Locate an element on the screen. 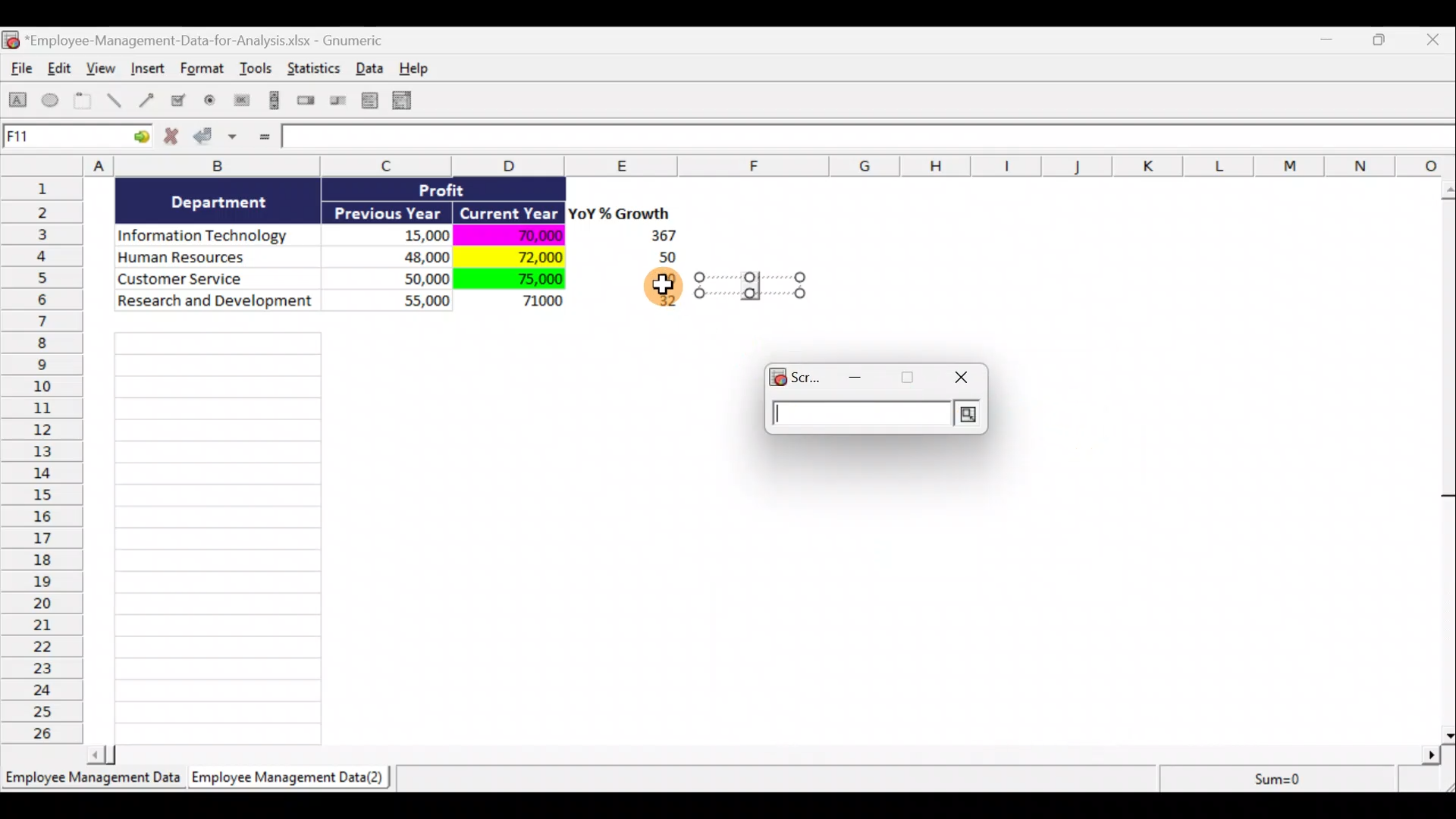 Image resolution: width=1456 pixels, height=819 pixels. Help is located at coordinates (422, 68).